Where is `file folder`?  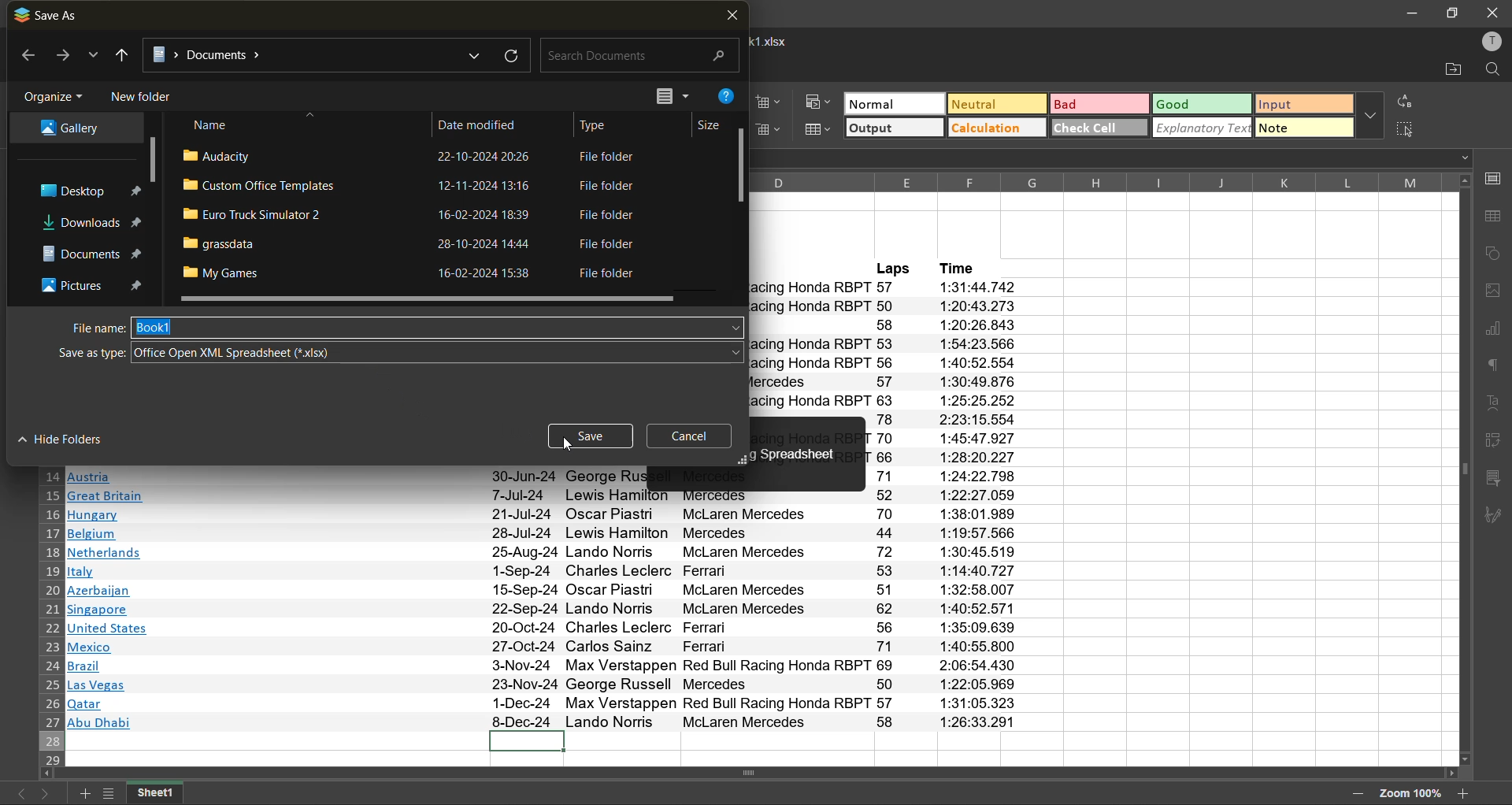 file folder is located at coordinates (617, 215).